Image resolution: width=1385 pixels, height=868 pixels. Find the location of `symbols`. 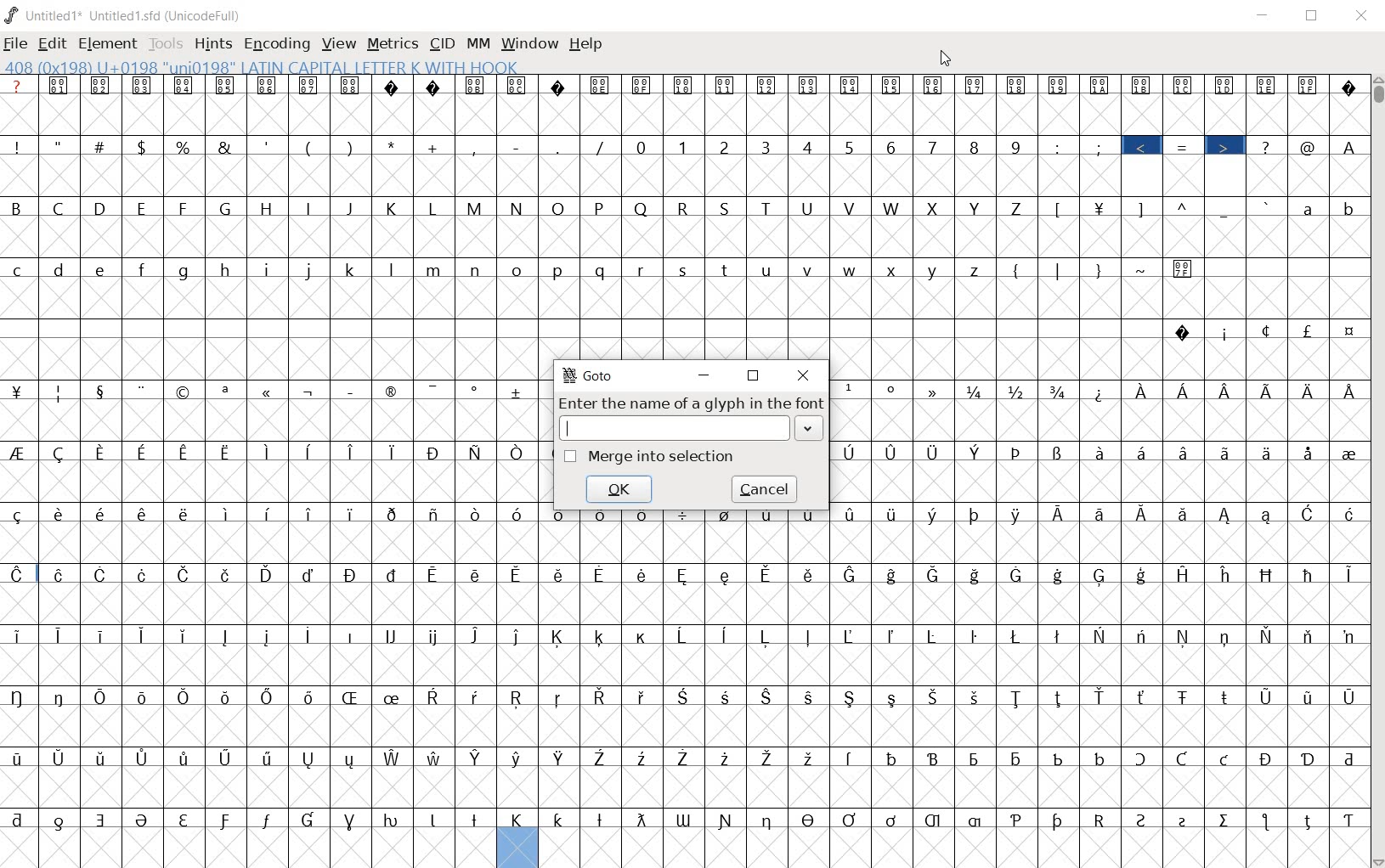

symbols is located at coordinates (1077, 146).